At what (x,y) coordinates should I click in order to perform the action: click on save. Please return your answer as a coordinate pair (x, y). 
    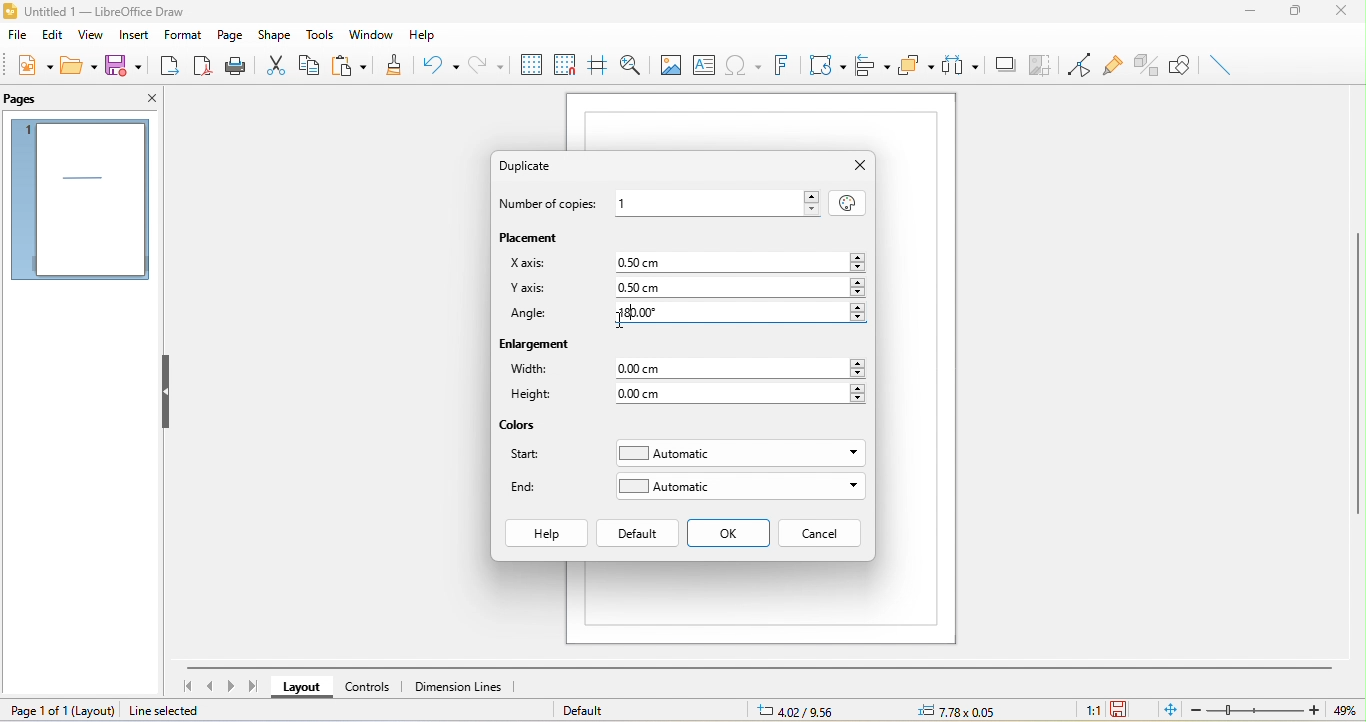
    Looking at the image, I should click on (123, 64).